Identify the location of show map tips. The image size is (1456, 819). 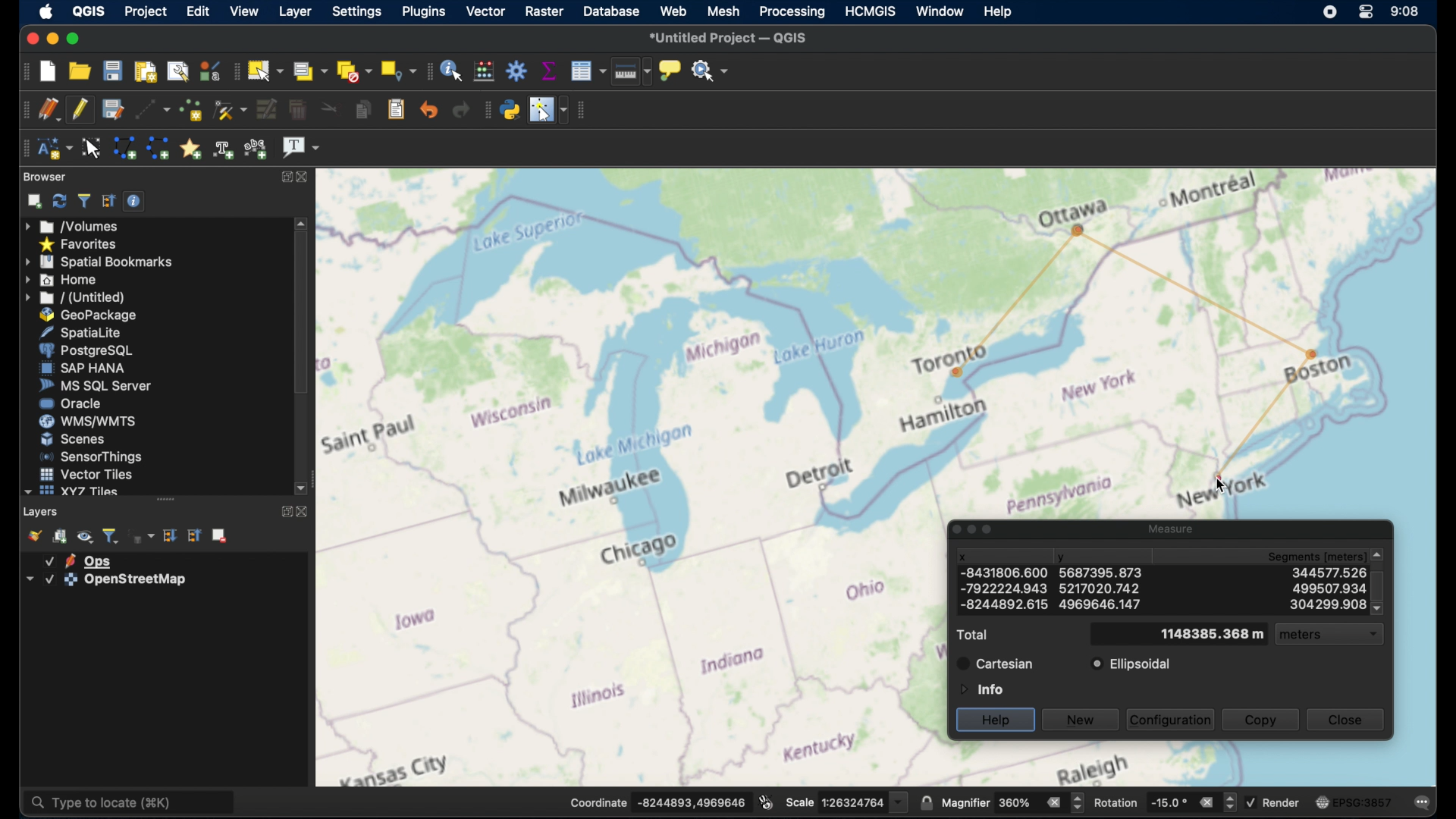
(672, 71).